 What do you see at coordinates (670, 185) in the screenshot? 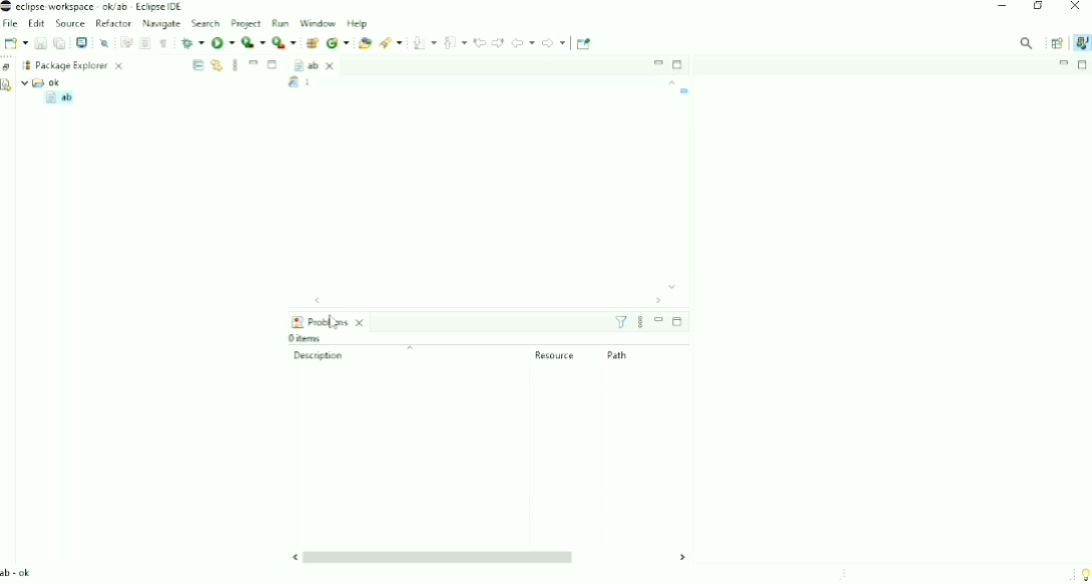
I see `Vertical scrollbar` at bounding box center [670, 185].